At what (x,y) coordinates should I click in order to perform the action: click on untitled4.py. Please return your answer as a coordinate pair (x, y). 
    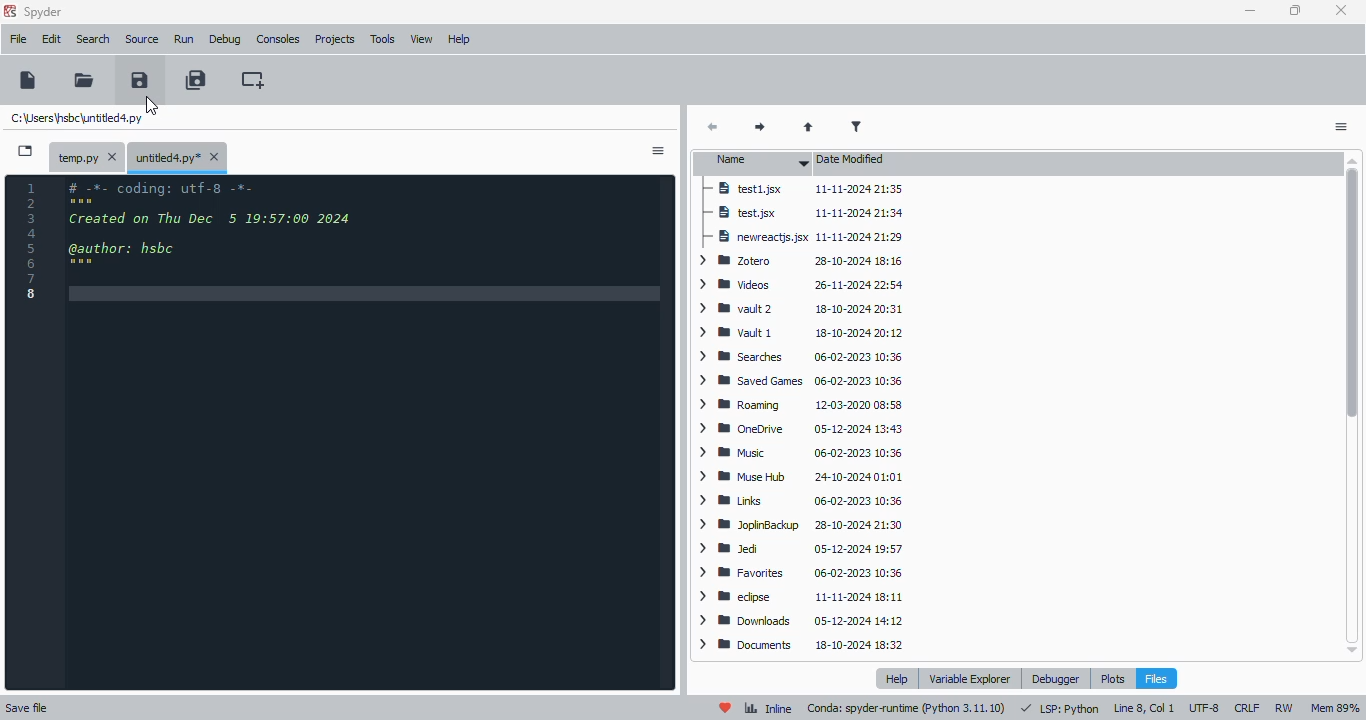
    Looking at the image, I should click on (77, 117).